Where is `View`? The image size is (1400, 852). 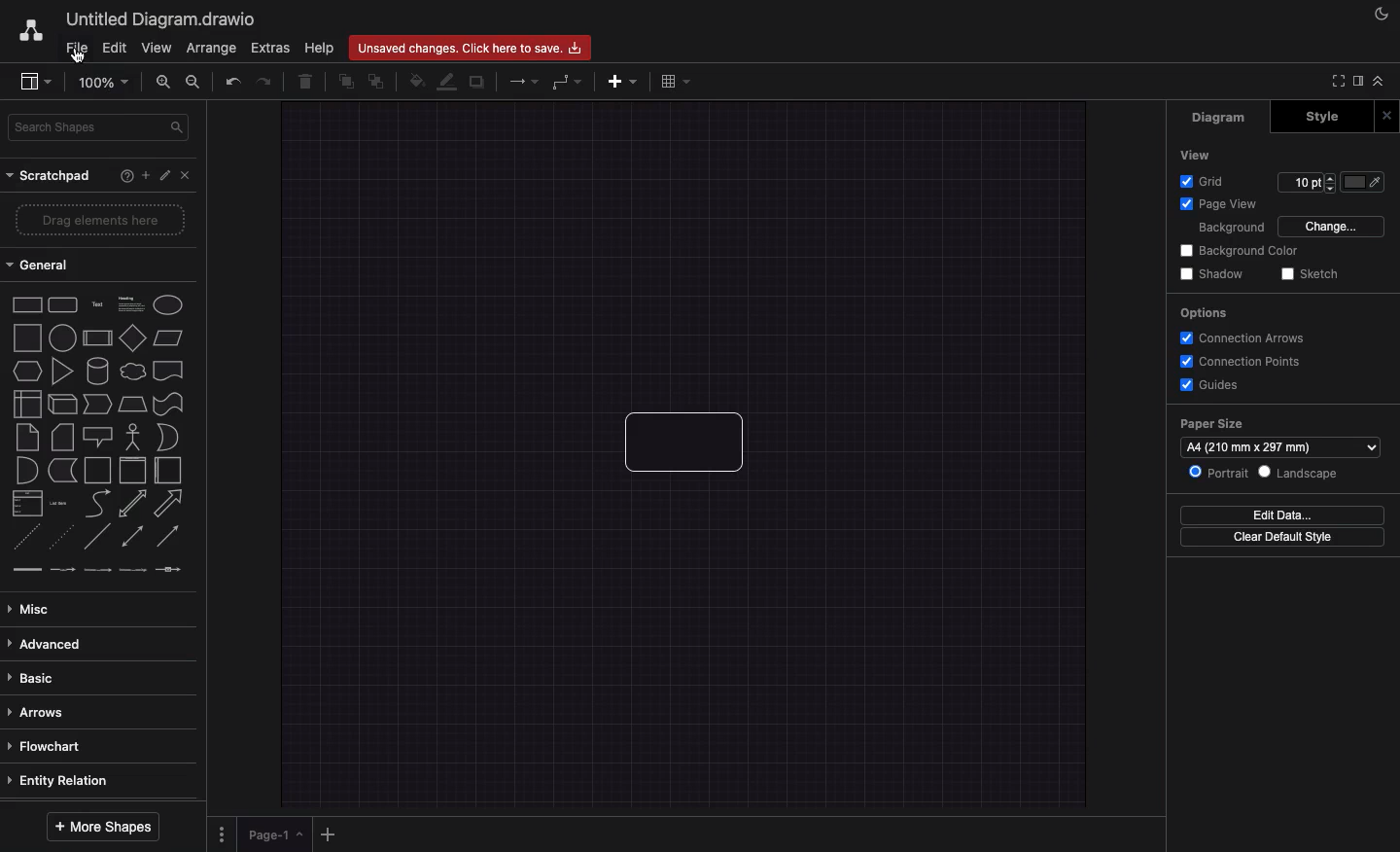
View is located at coordinates (157, 49).